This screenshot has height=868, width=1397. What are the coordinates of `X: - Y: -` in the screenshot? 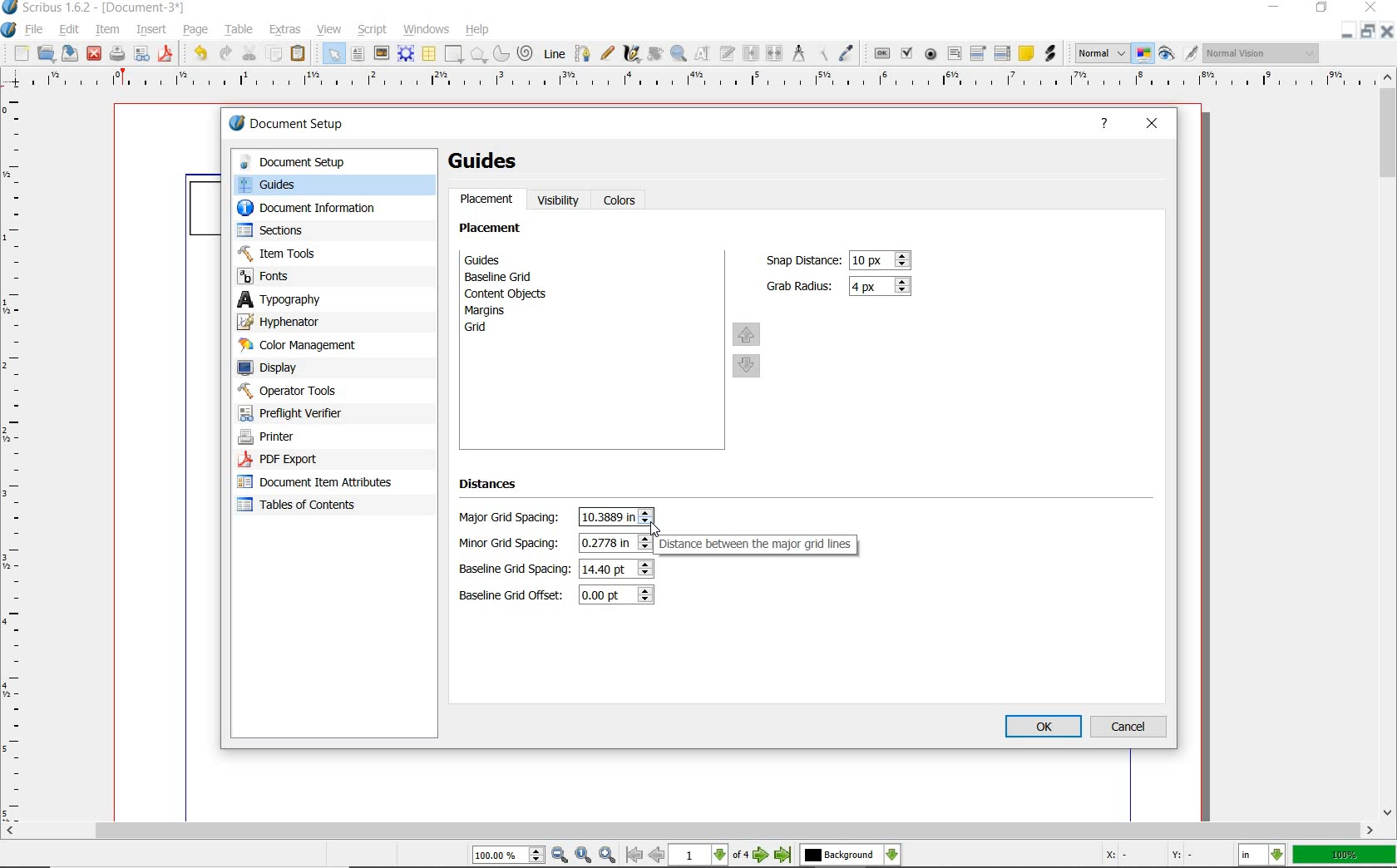 It's located at (1146, 855).